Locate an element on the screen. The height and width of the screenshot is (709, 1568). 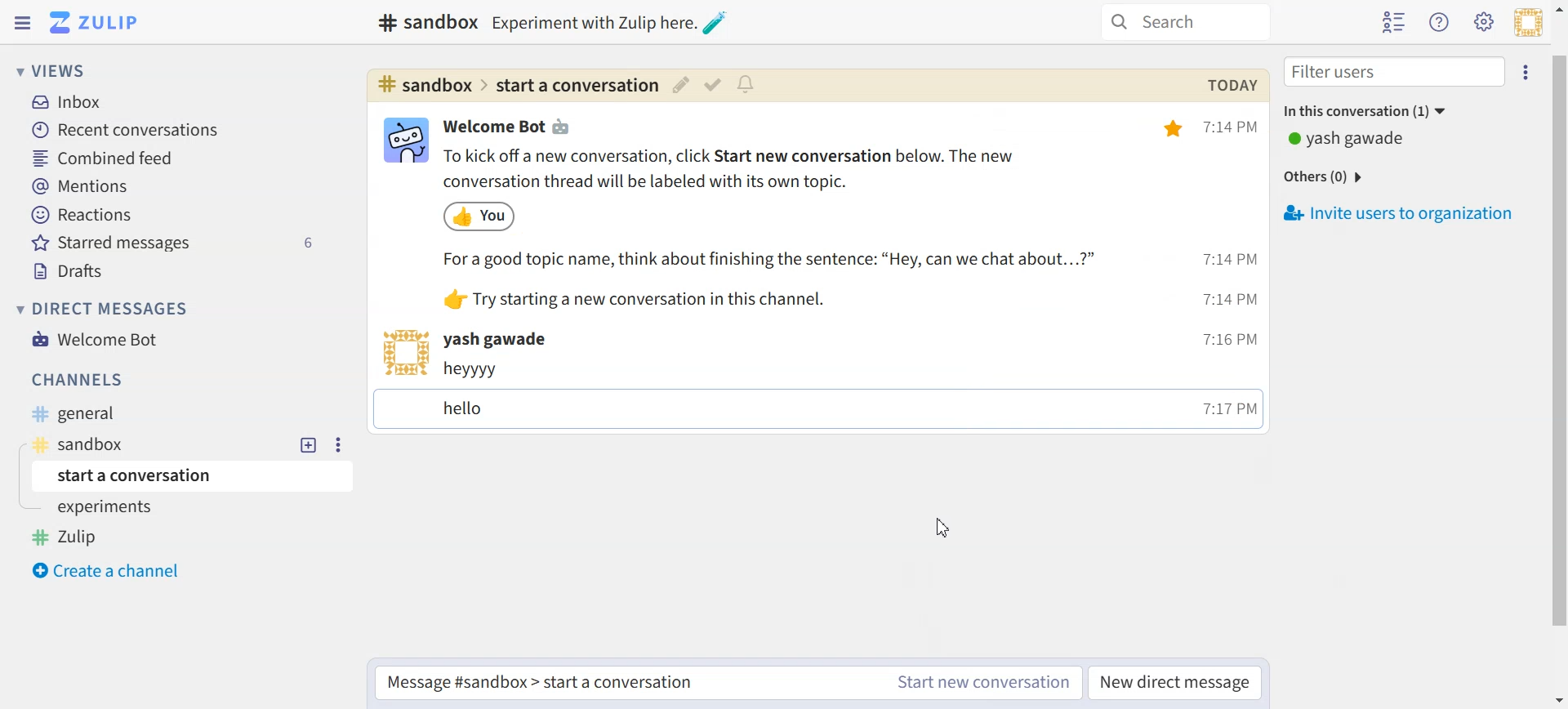
Filter users is located at coordinates (1395, 72).